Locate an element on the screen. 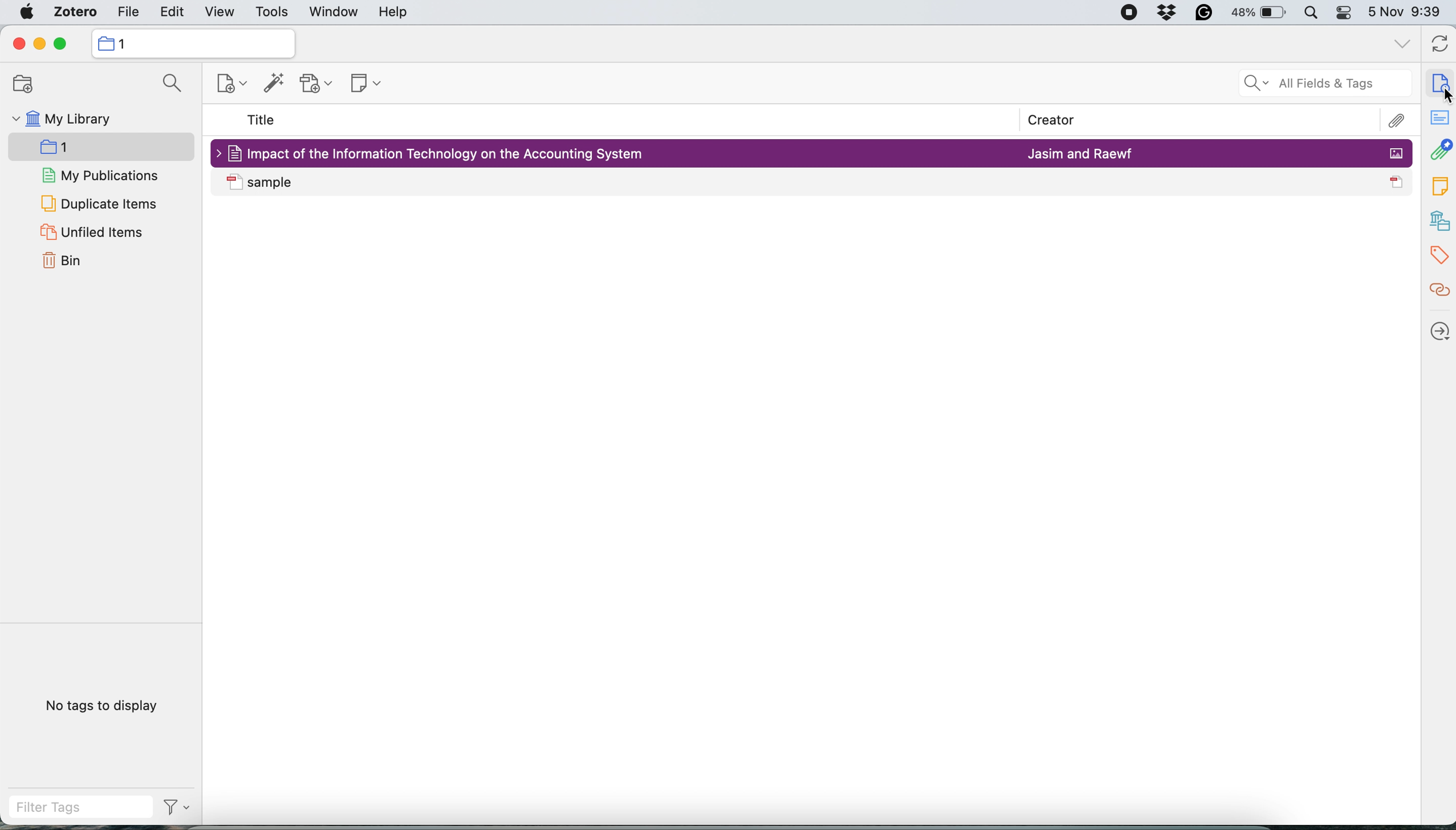 Image resolution: width=1456 pixels, height=830 pixels. No tags to display is located at coordinates (103, 706).